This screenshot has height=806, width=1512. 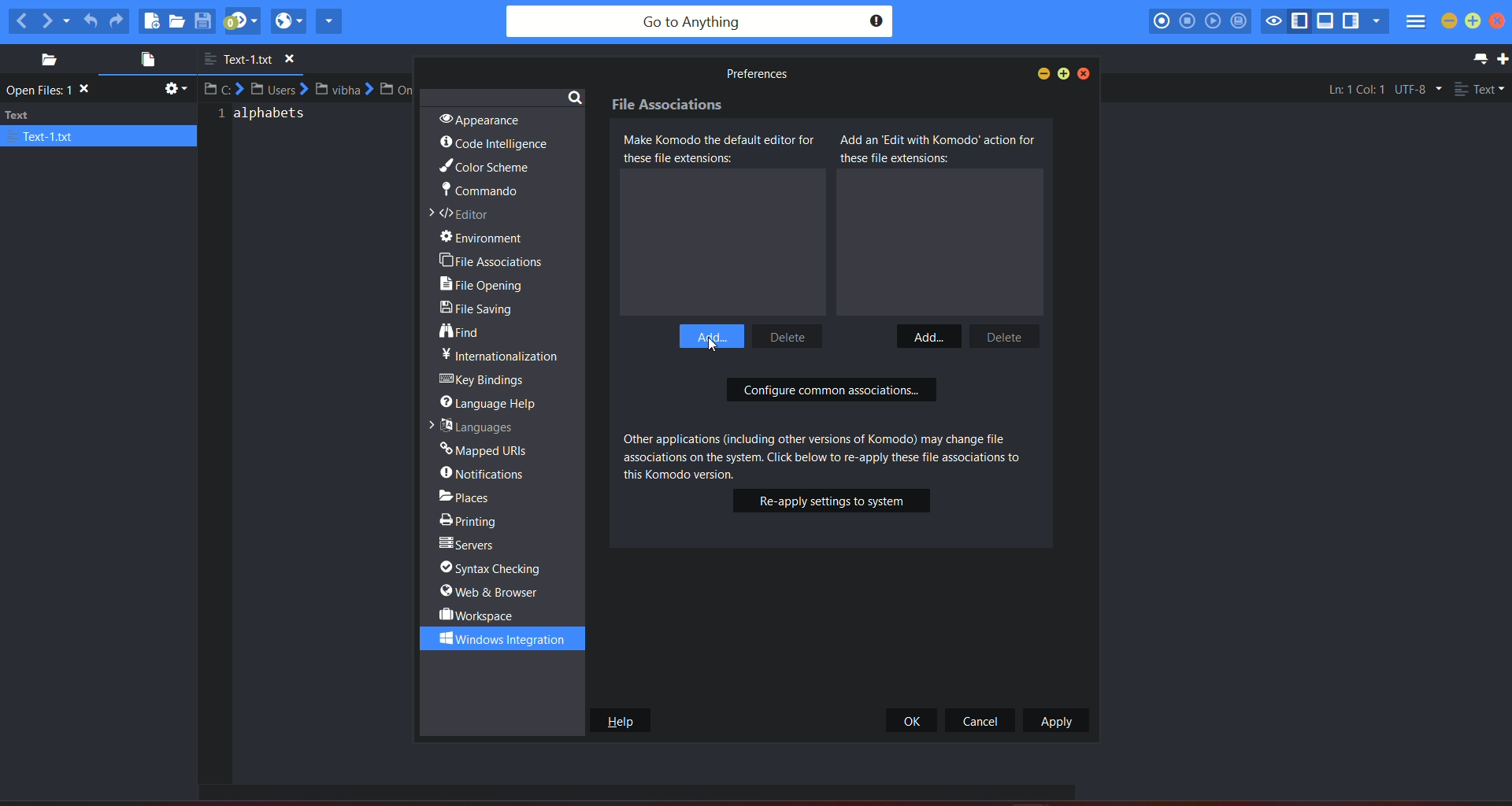 What do you see at coordinates (724, 150) in the screenshot?
I see `Make komodo the default` at bounding box center [724, 150].